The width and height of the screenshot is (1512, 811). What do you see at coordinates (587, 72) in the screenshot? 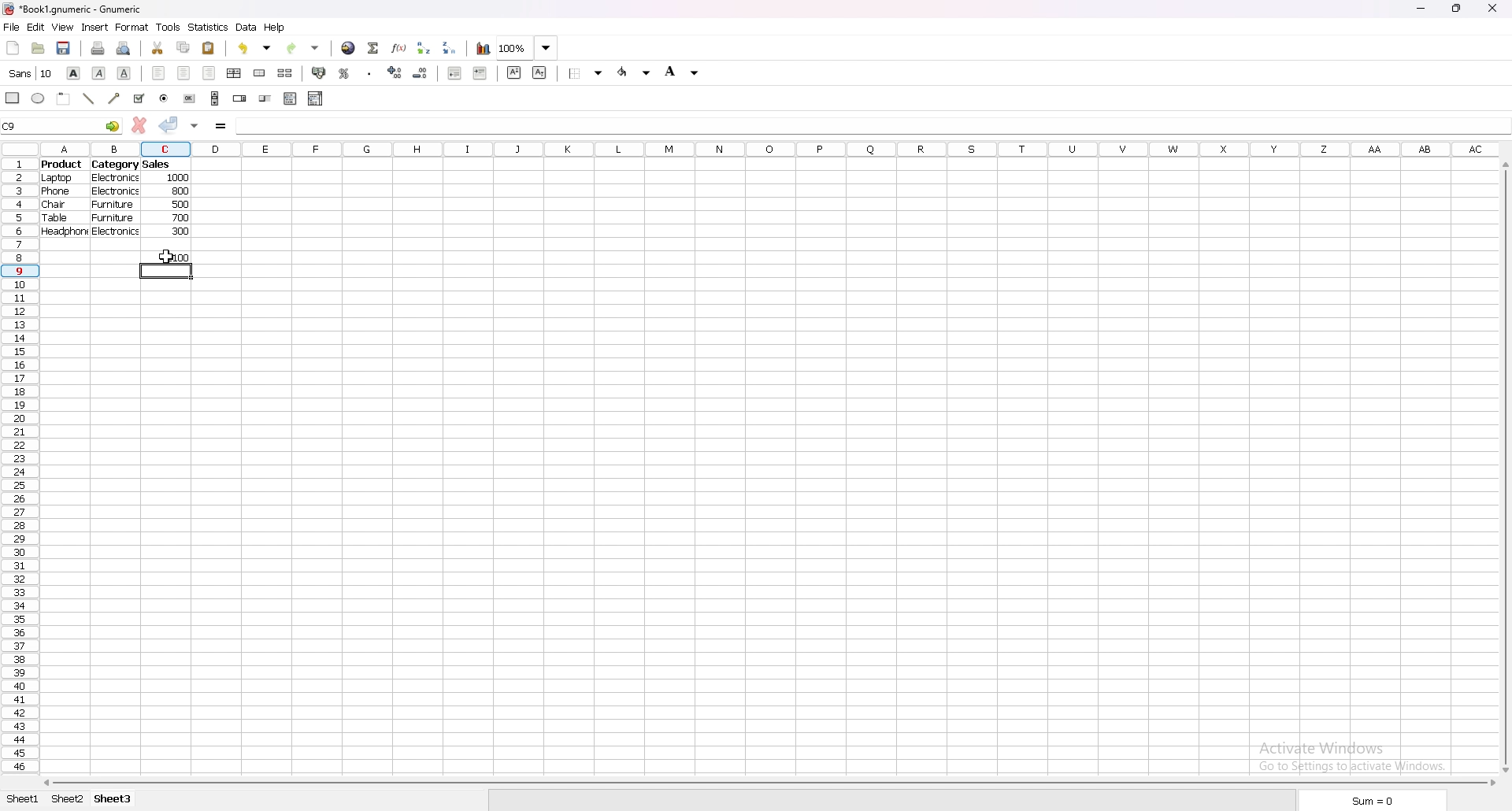
I see `border` at bounding box center [587, 72].